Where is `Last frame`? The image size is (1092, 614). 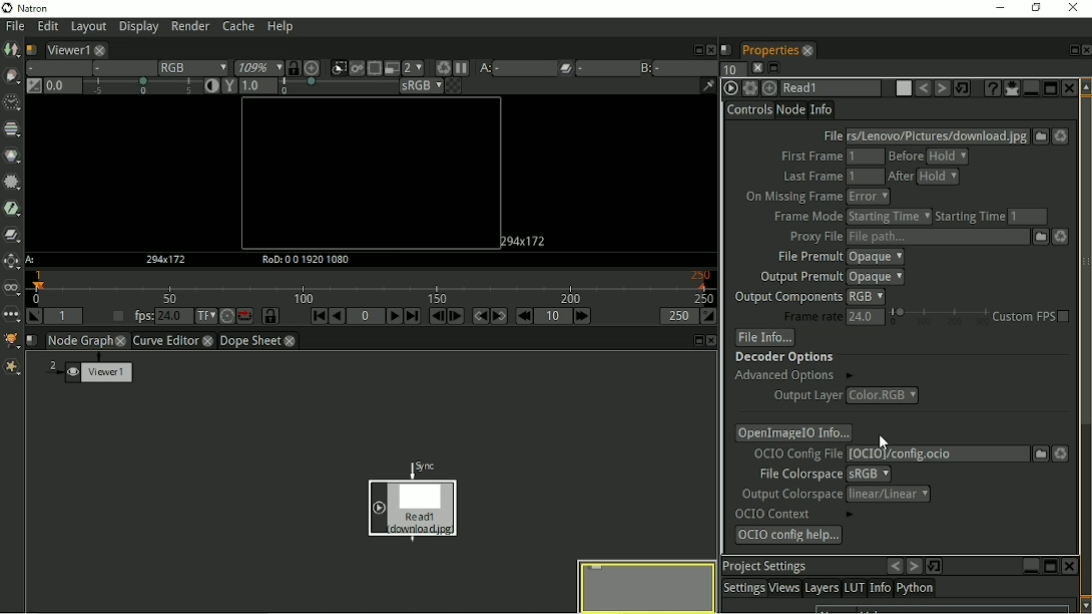 Last frame is located at coordinates (869, 176).